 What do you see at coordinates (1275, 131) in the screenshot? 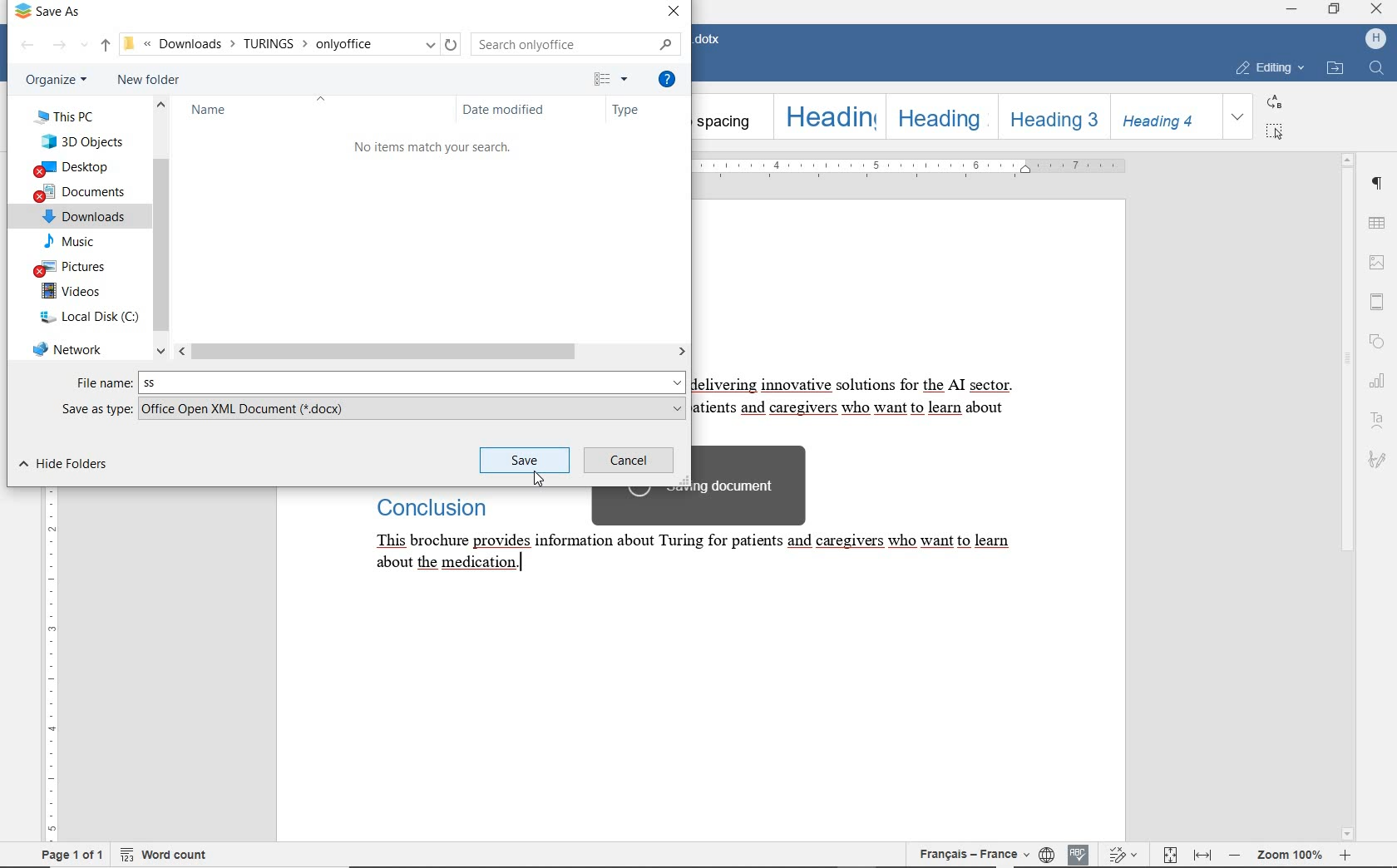
I see `SELECT ALL` at bounding box center [1275, 131].